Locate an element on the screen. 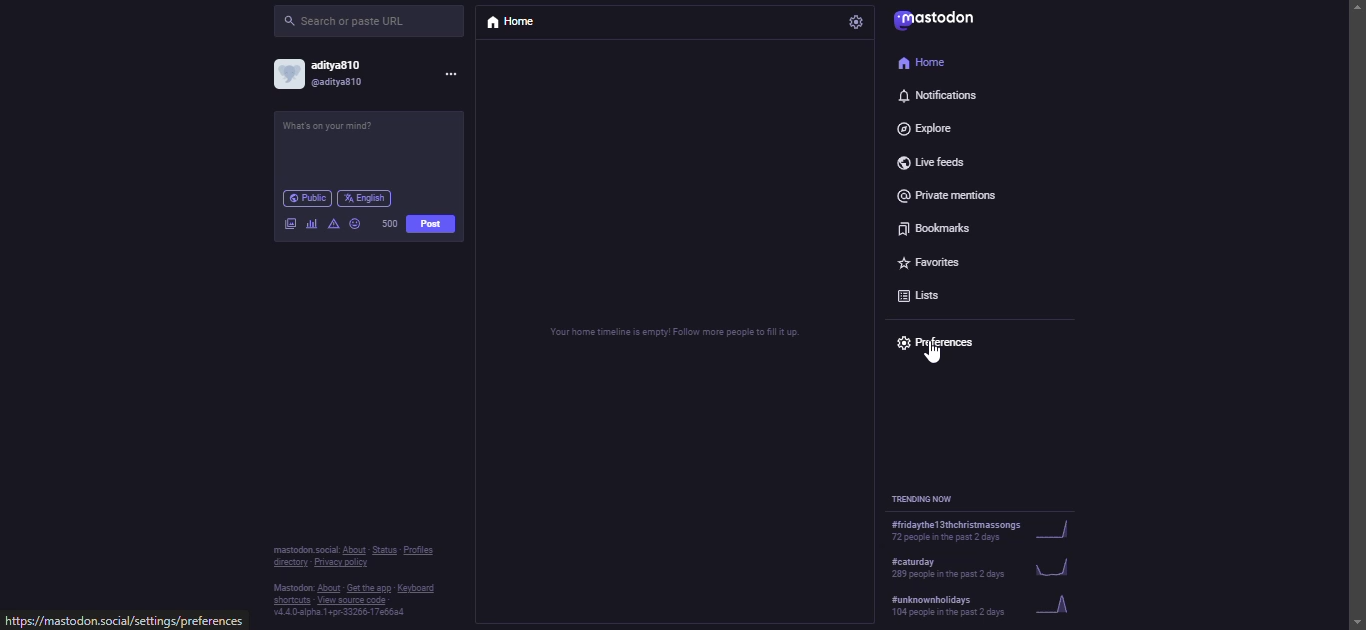  home is located at coordinates (513, 22).